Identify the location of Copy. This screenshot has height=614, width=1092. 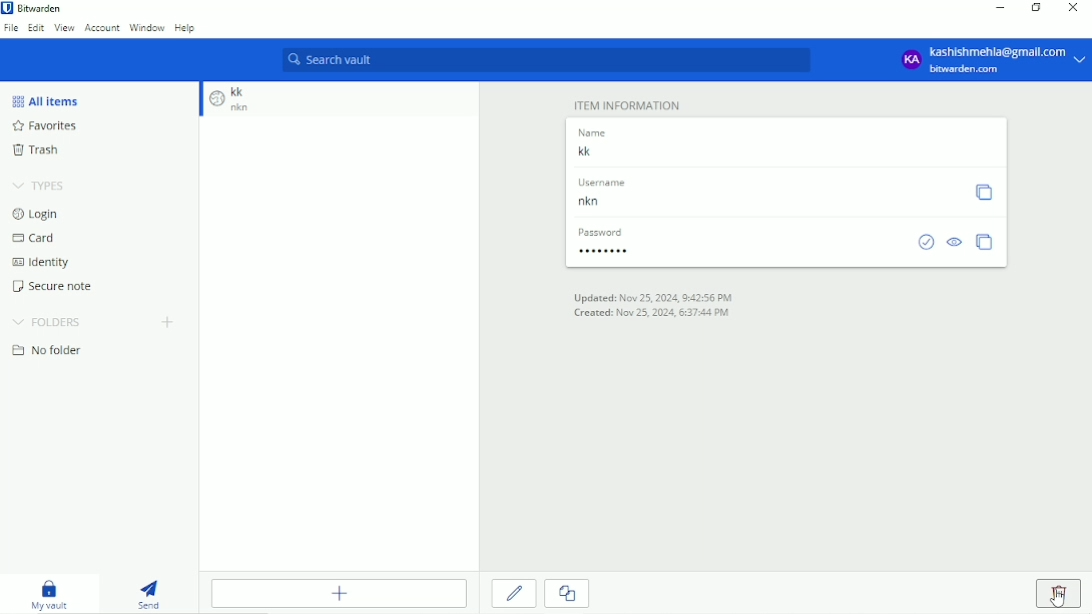
(985, 242).